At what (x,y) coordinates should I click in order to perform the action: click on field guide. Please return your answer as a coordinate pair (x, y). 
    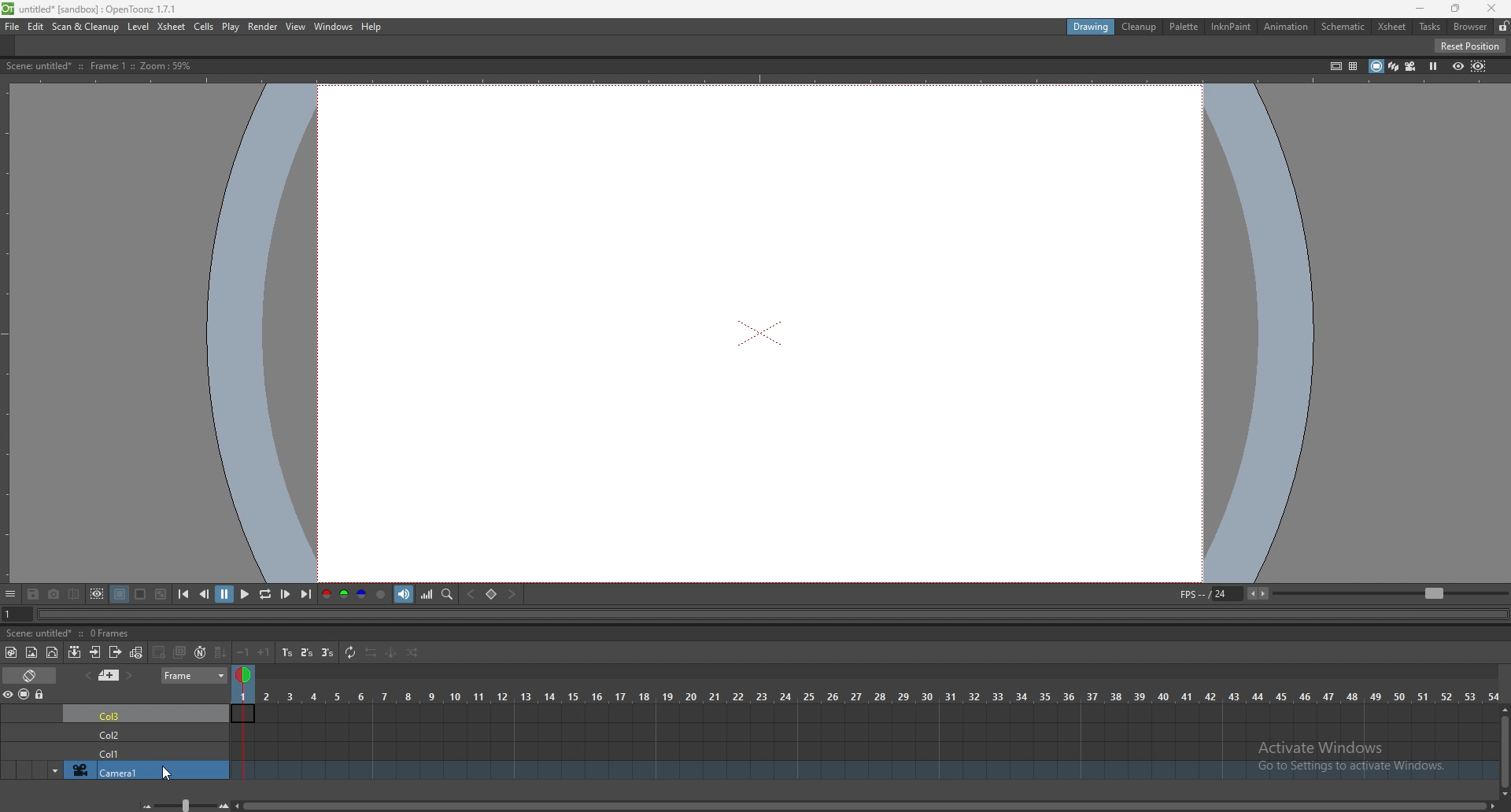
    Looking at the image, I should click on (1353, 65).